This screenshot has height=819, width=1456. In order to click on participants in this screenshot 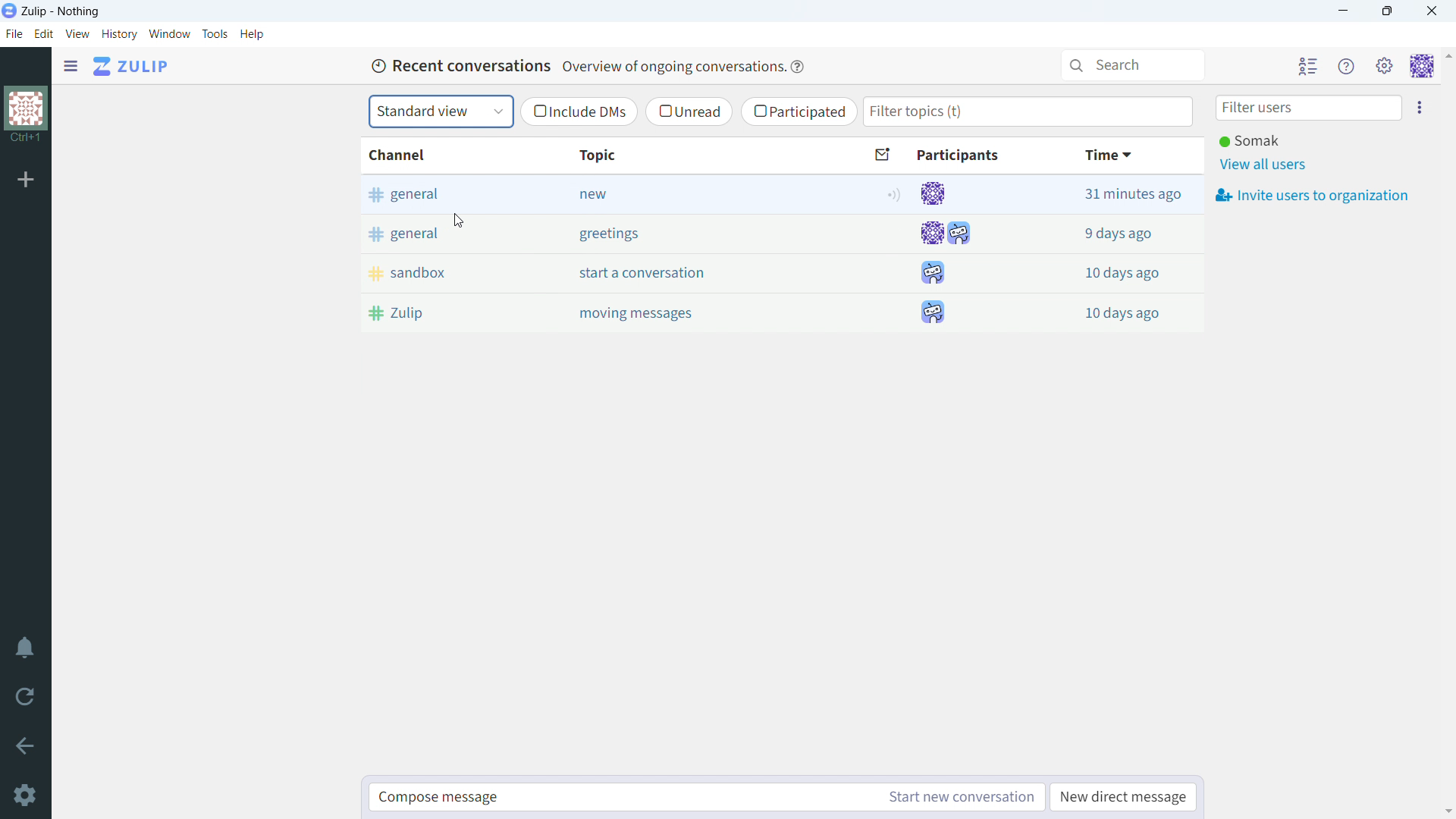, I will do `click(946, 254)`.